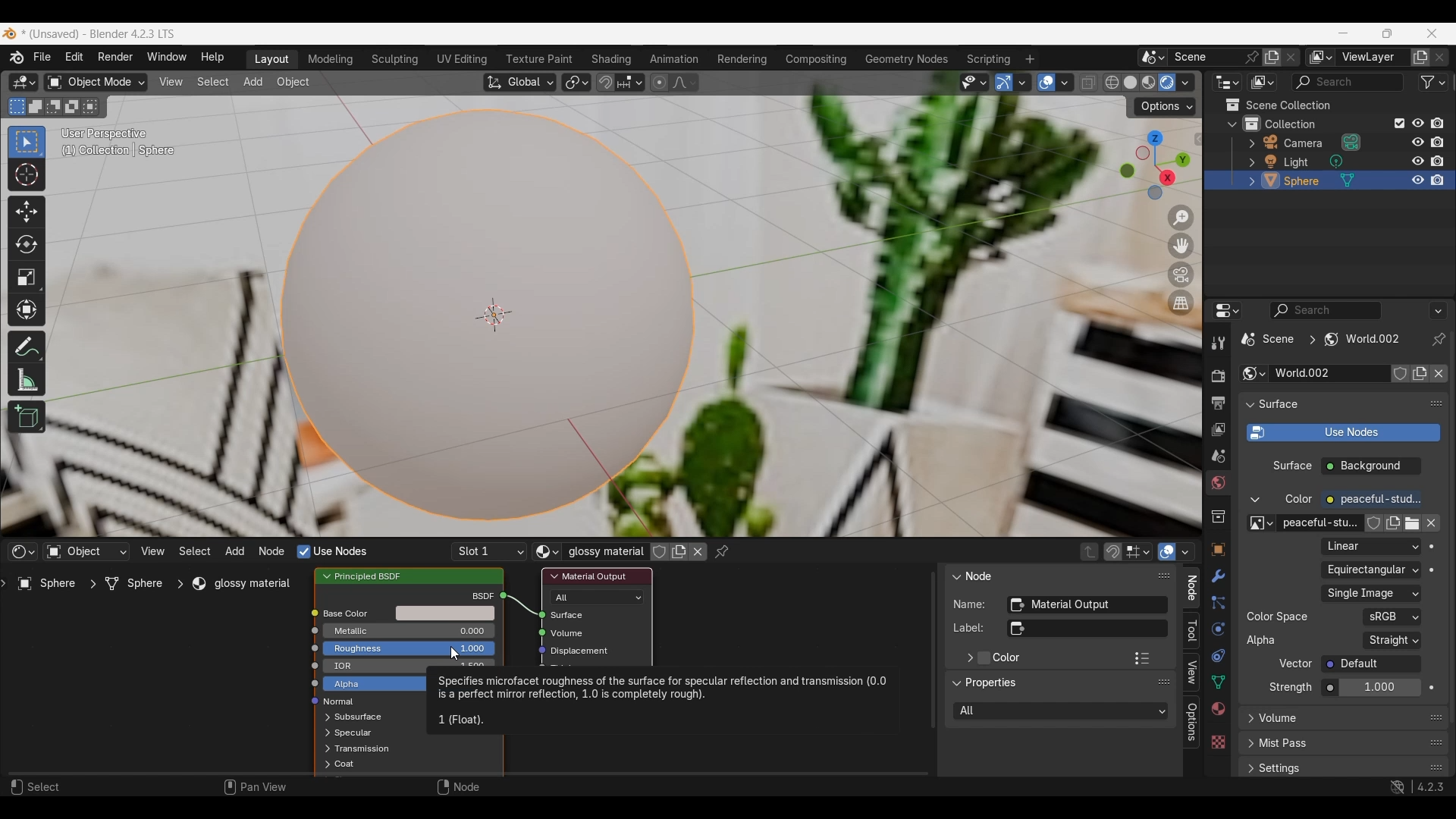 The height and width of the screenshot is (819, 1456). I want to click on Alpha, so click(1263, 640).